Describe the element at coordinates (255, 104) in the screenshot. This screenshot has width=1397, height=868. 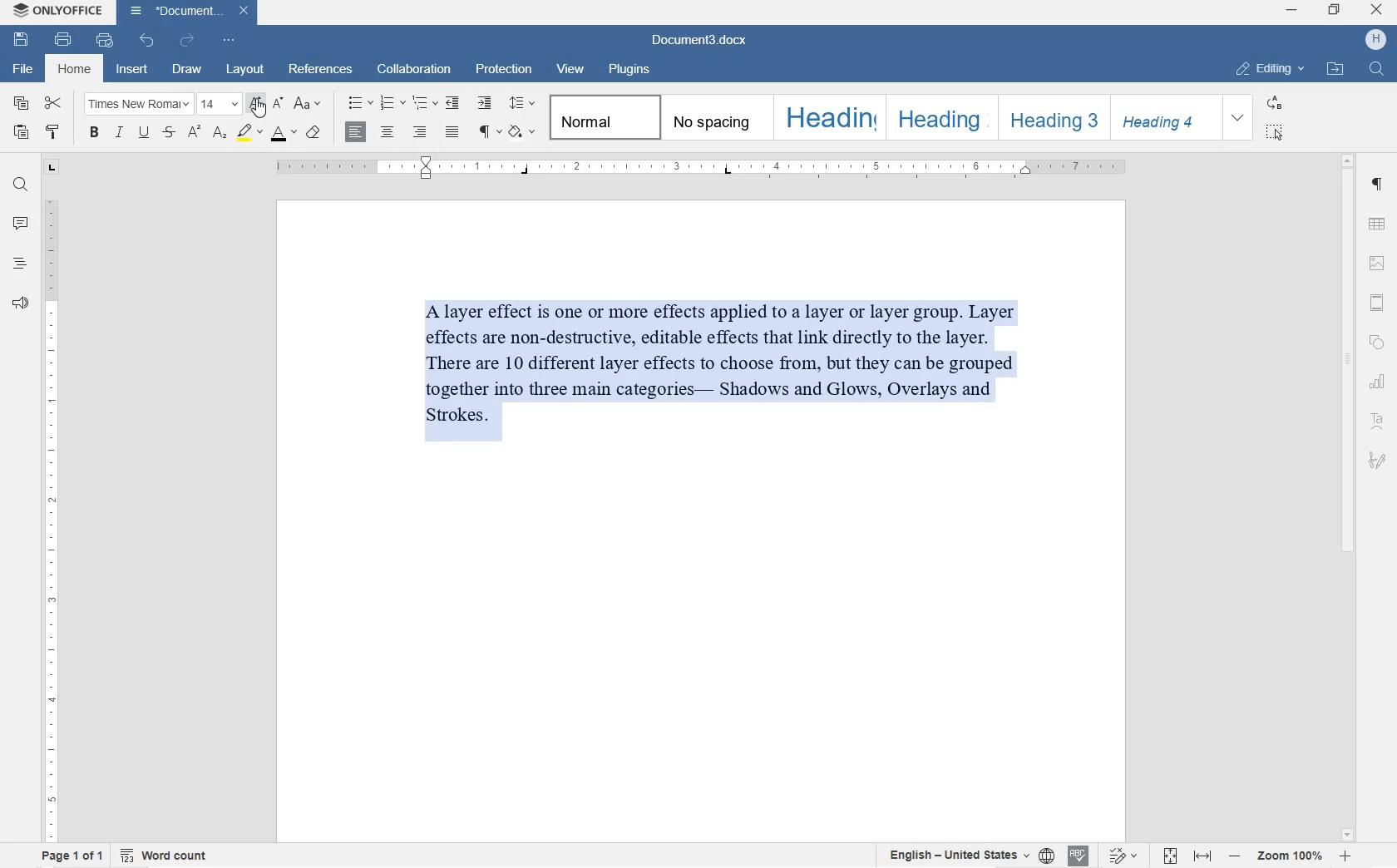
I see `increment font size` at that location.